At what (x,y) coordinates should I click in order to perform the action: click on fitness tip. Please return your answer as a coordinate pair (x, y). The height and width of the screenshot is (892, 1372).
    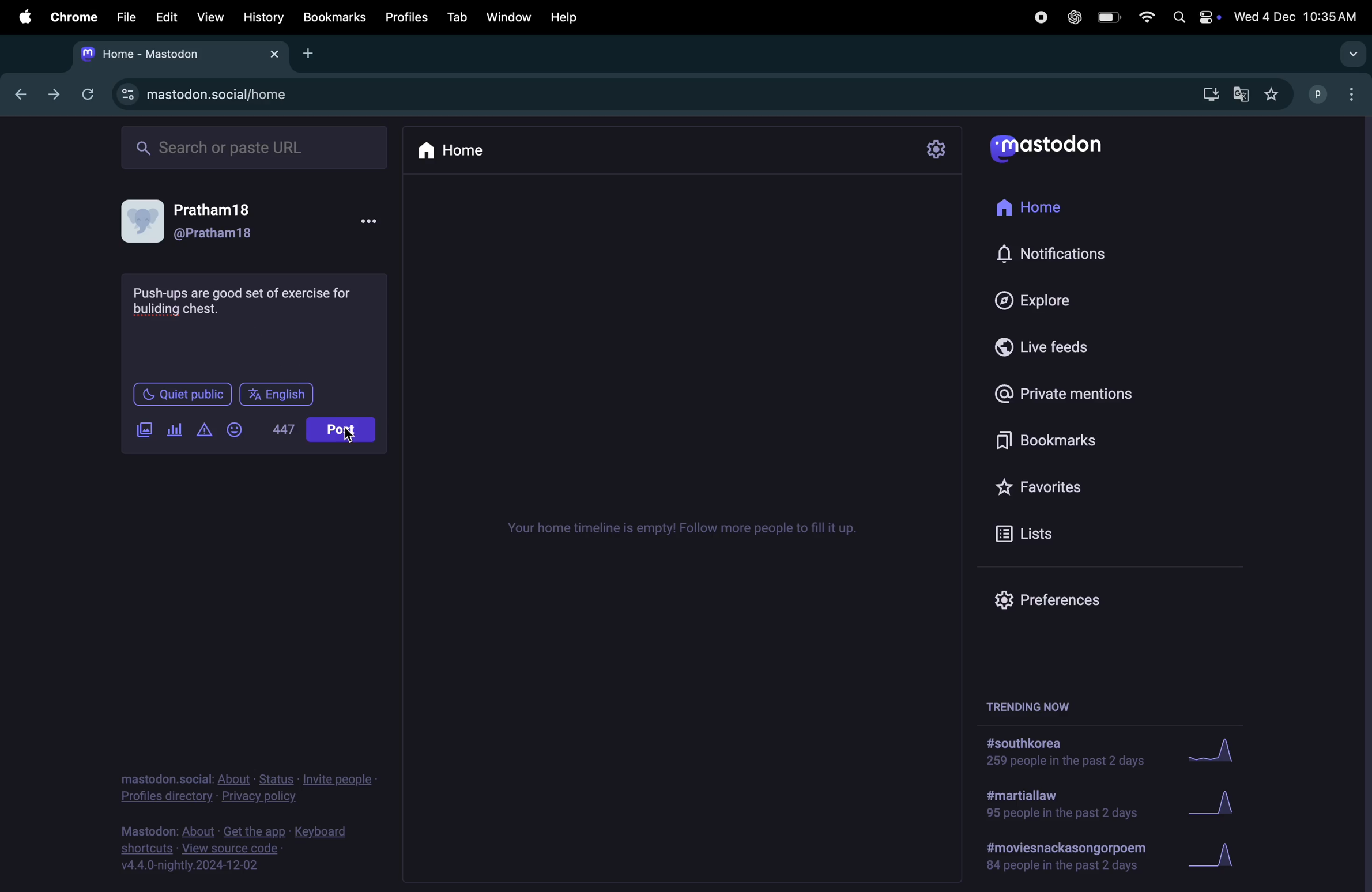
    Looking at the image, I should click on (246, 302).